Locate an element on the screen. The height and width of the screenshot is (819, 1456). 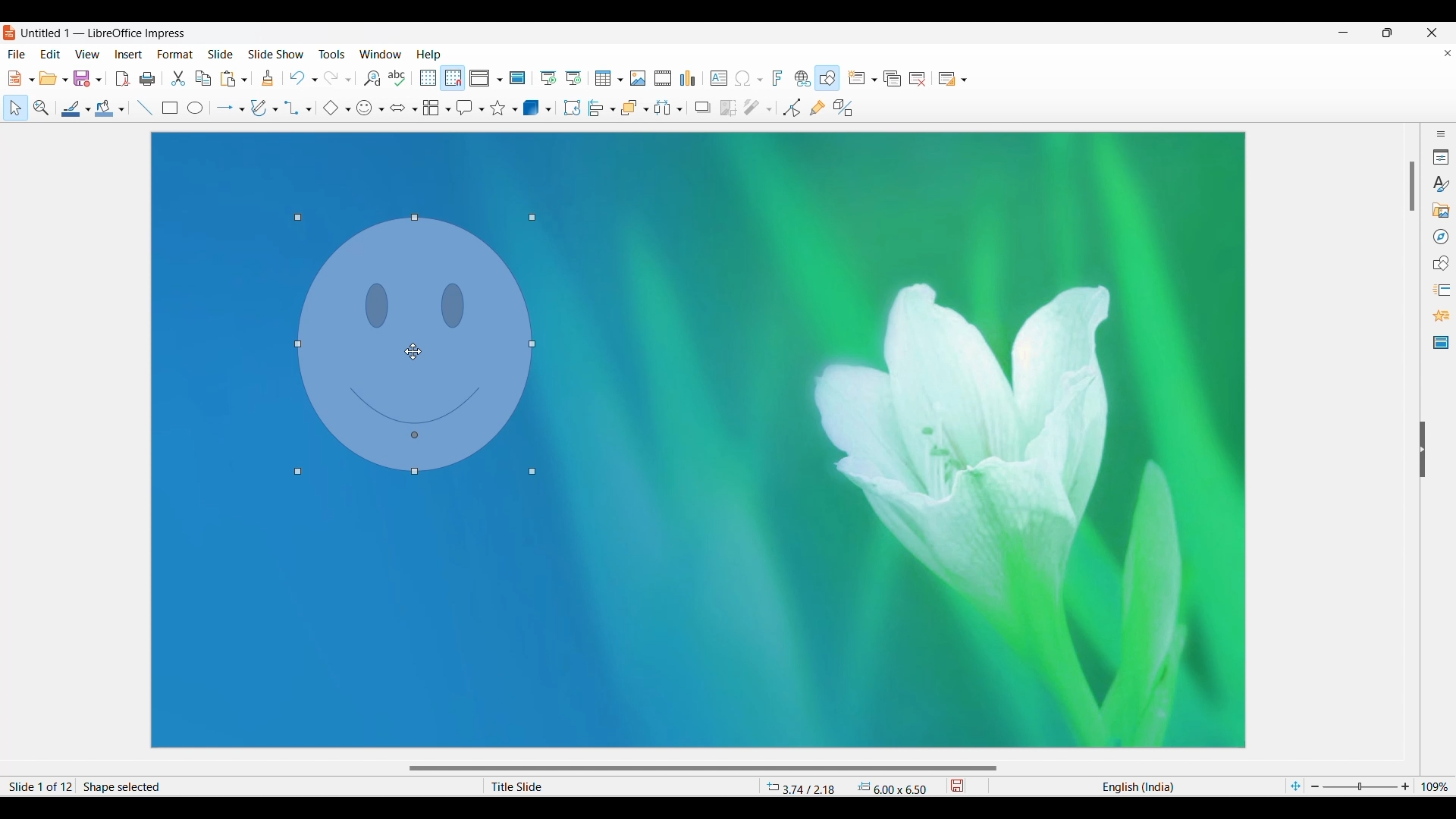
Open options is located at coordinates (66, 80).